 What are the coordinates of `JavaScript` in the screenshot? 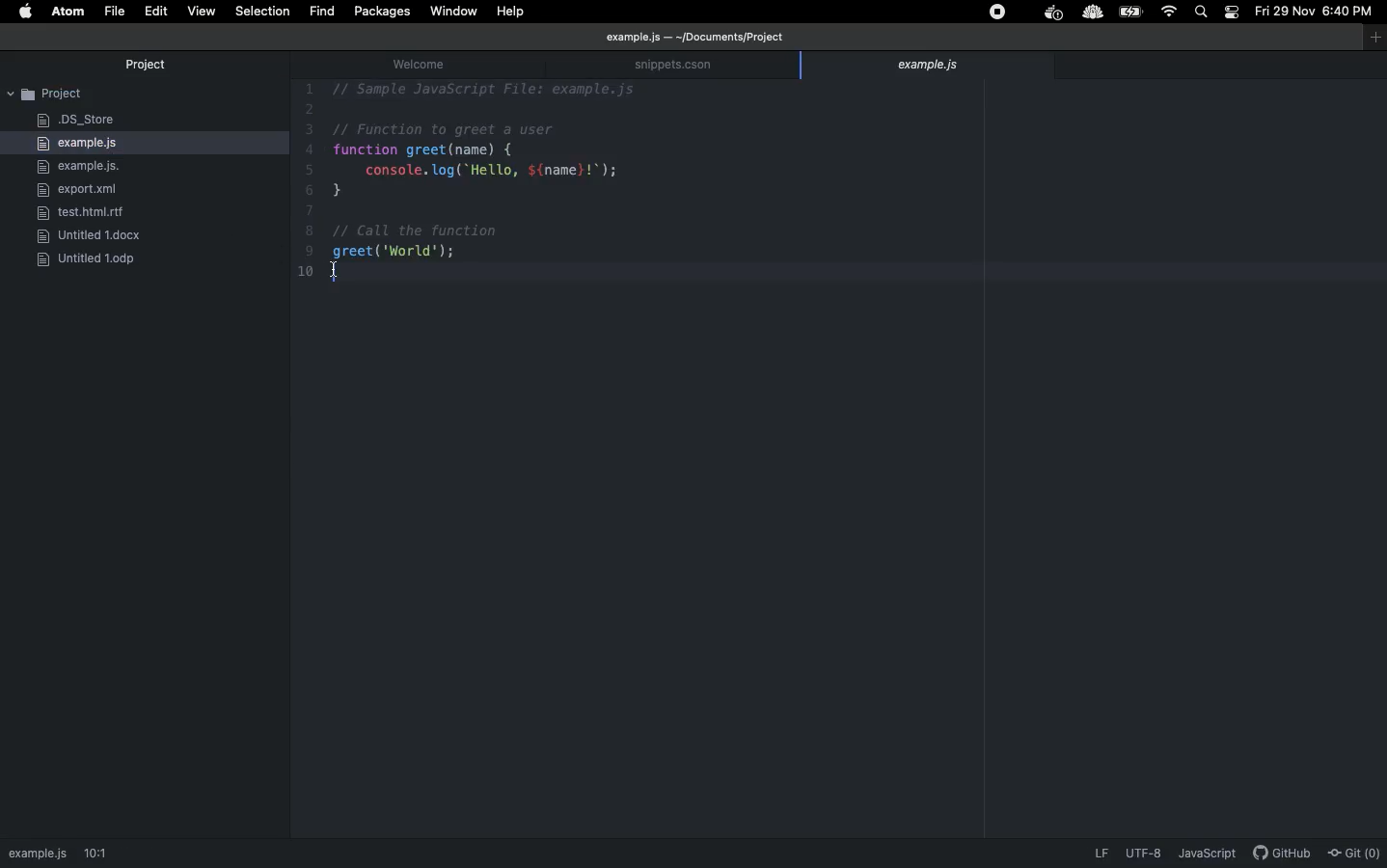 It's located at (1210, 855).